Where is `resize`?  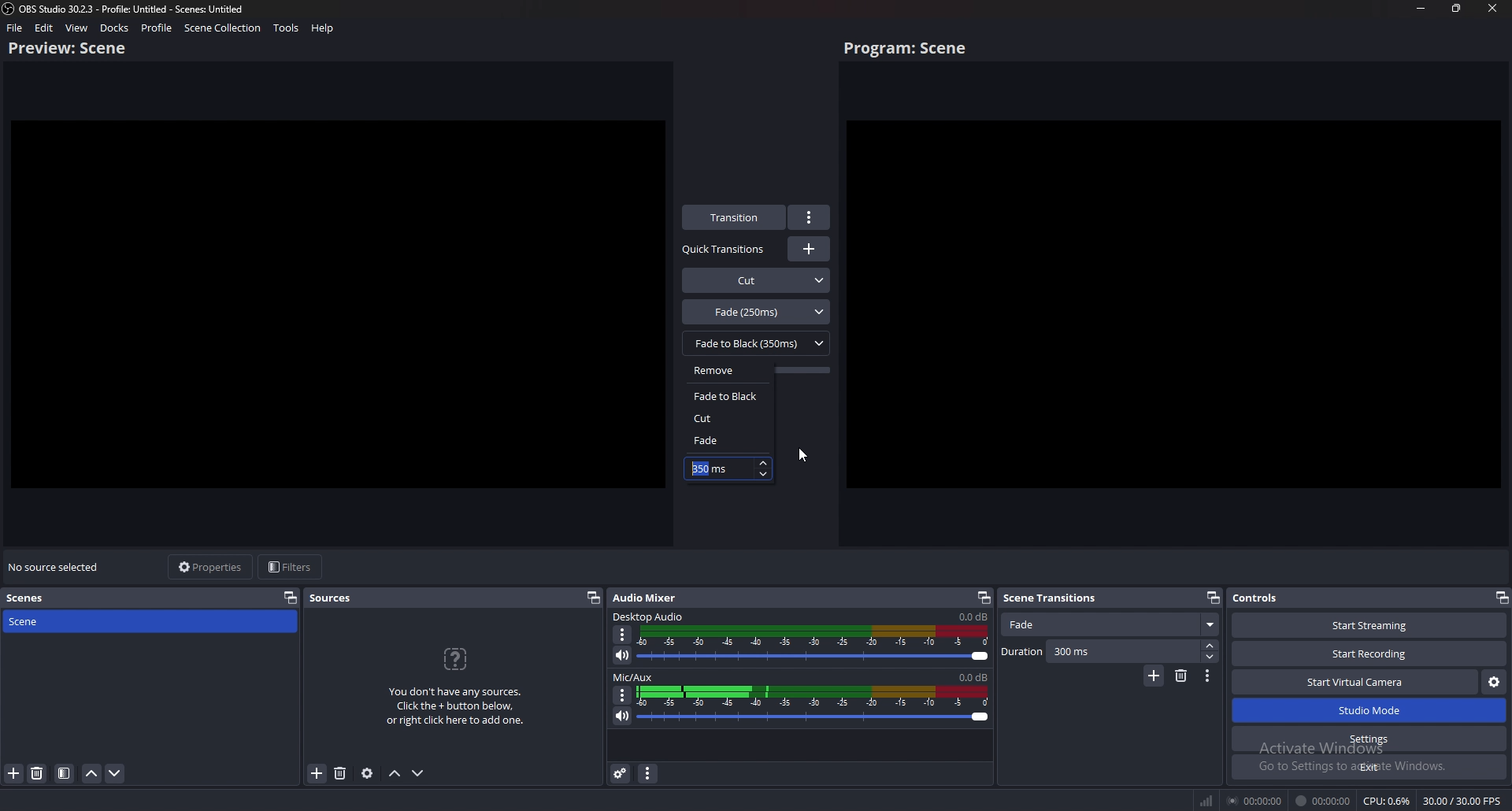 resize is located at coordinates (1457, 8).